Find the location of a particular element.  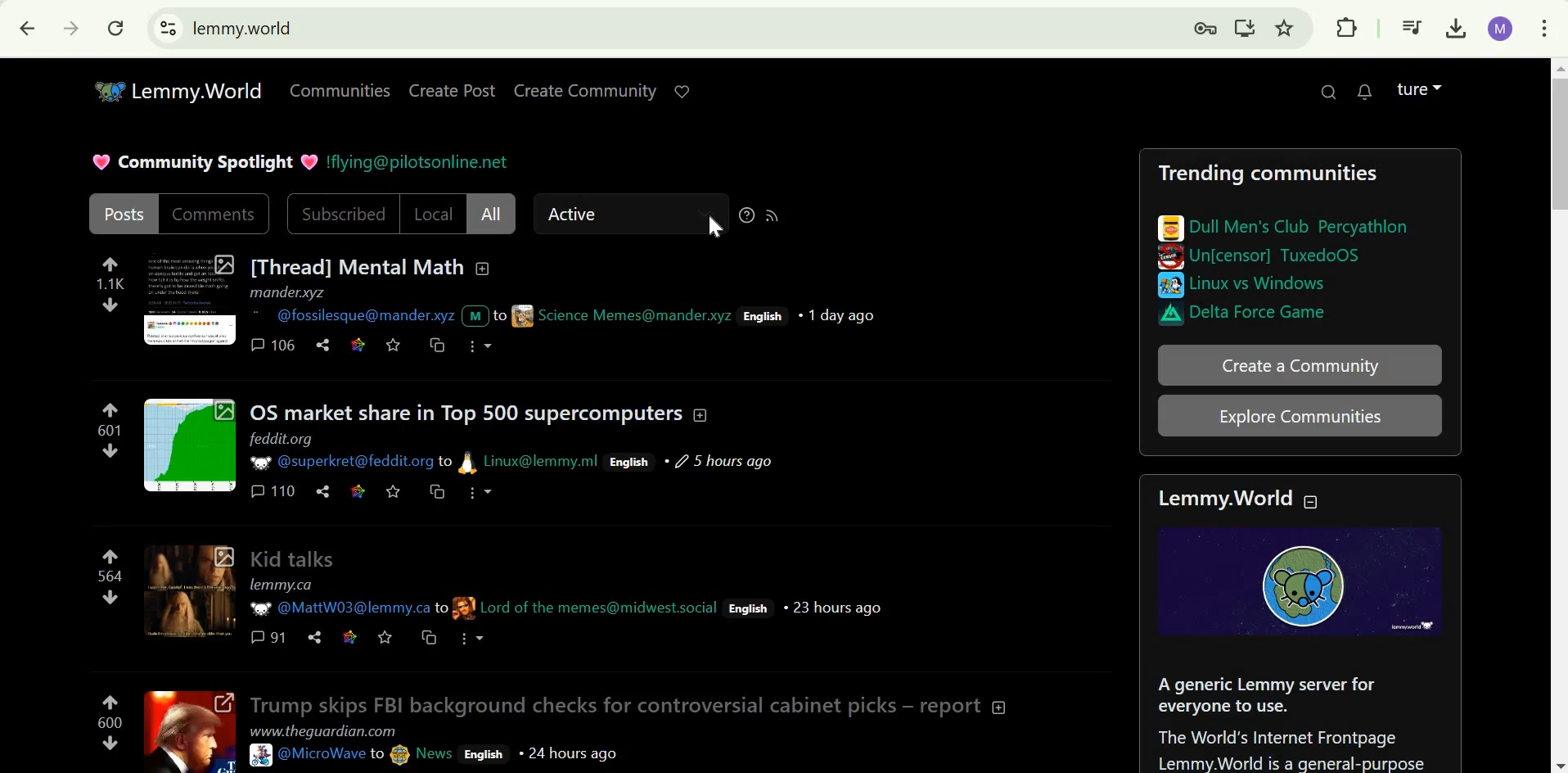

Click to go forwards, hold to see history is located at coordinates (69, 28).